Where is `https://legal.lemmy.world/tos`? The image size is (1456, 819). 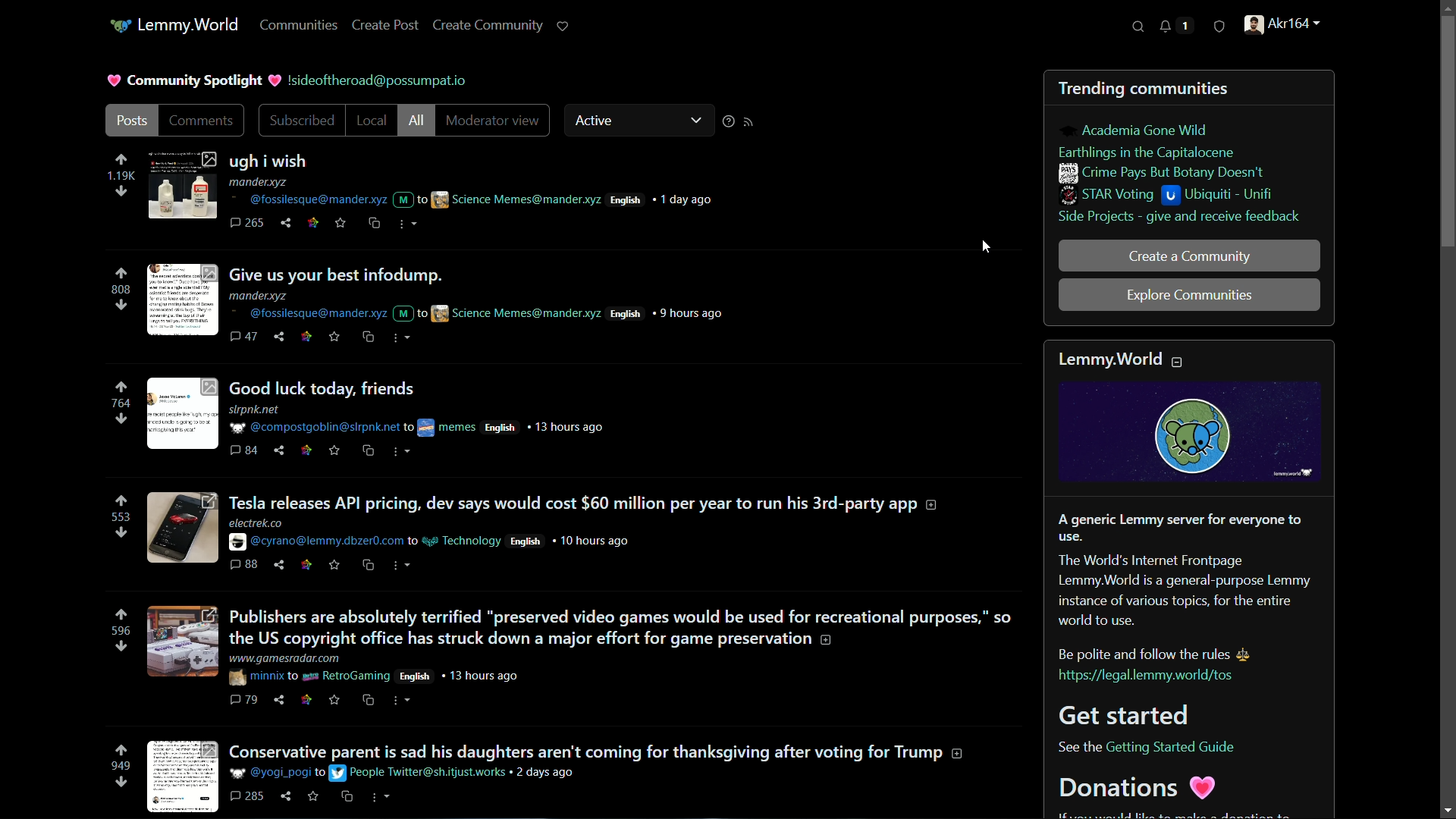 https://legal.lemmy.world/tos is located at coordinates (1144, 676).